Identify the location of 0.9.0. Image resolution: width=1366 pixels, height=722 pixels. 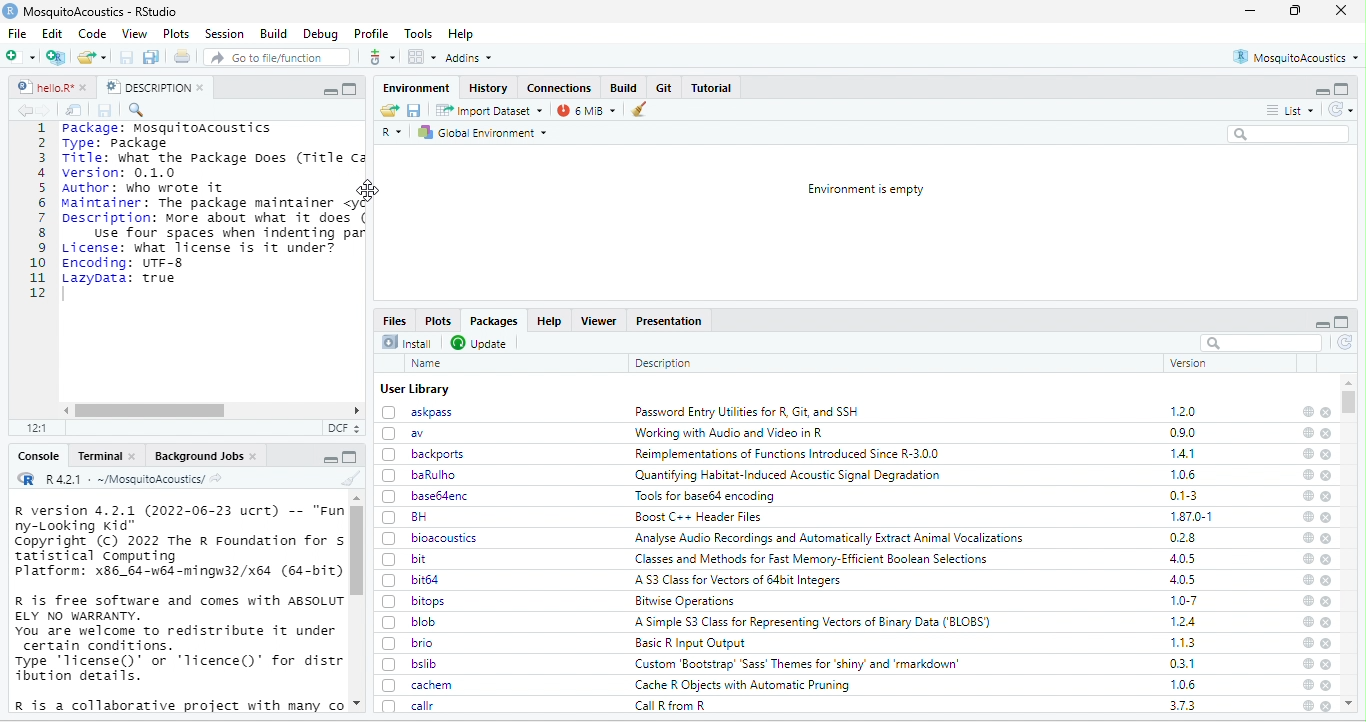
(1183, 432).